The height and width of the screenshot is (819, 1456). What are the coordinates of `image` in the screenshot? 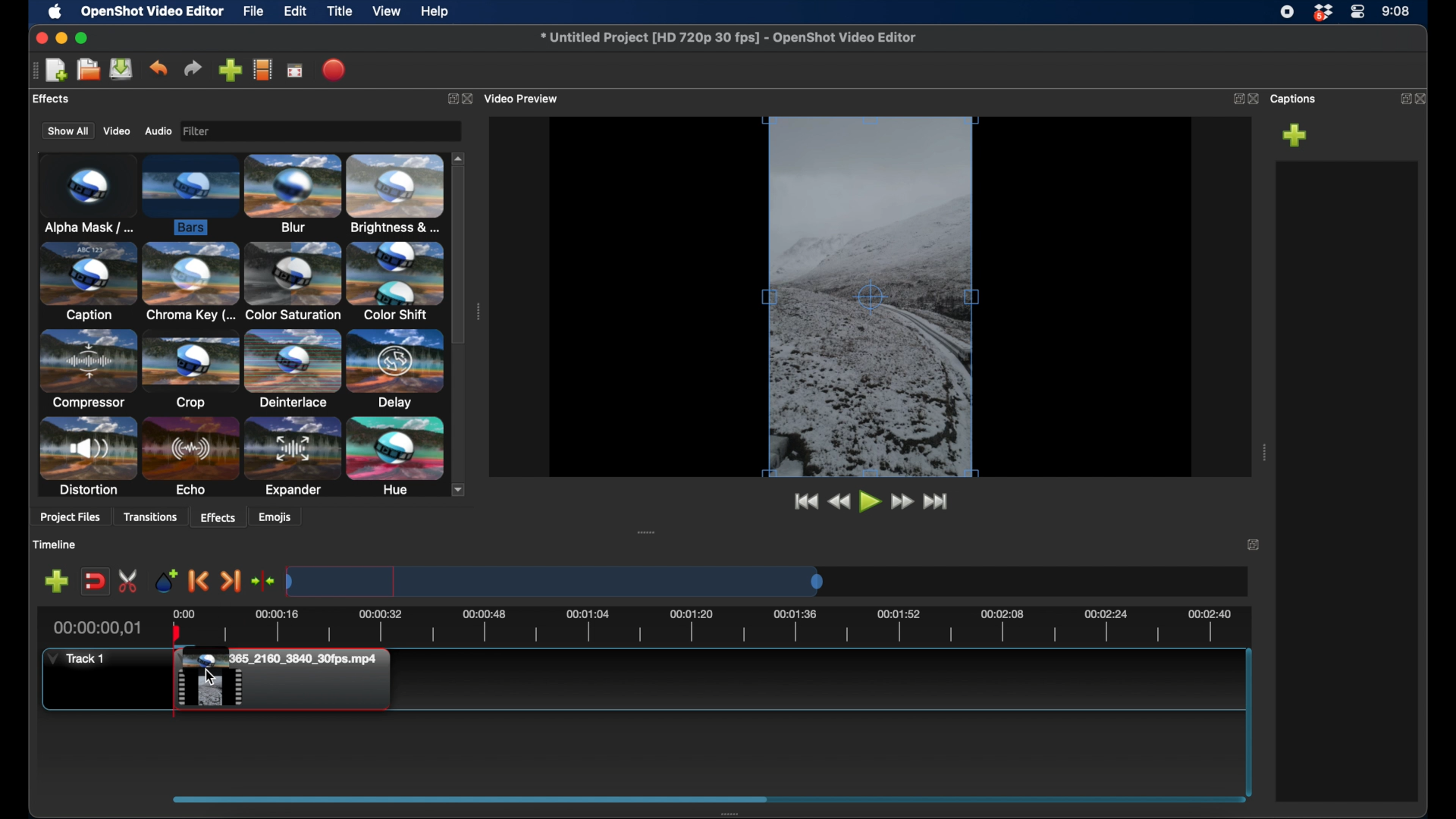 It's located at (200, 131).